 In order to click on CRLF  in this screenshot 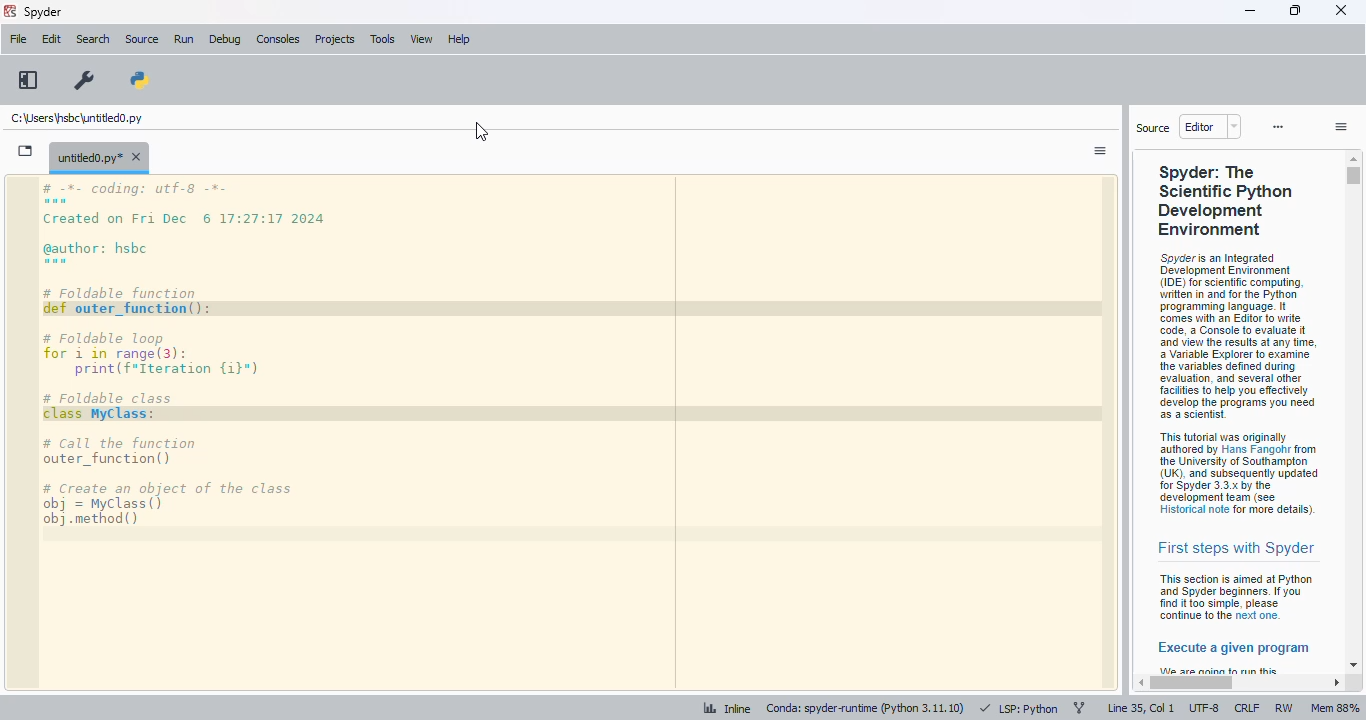, I will do `click(1247, 708)`.